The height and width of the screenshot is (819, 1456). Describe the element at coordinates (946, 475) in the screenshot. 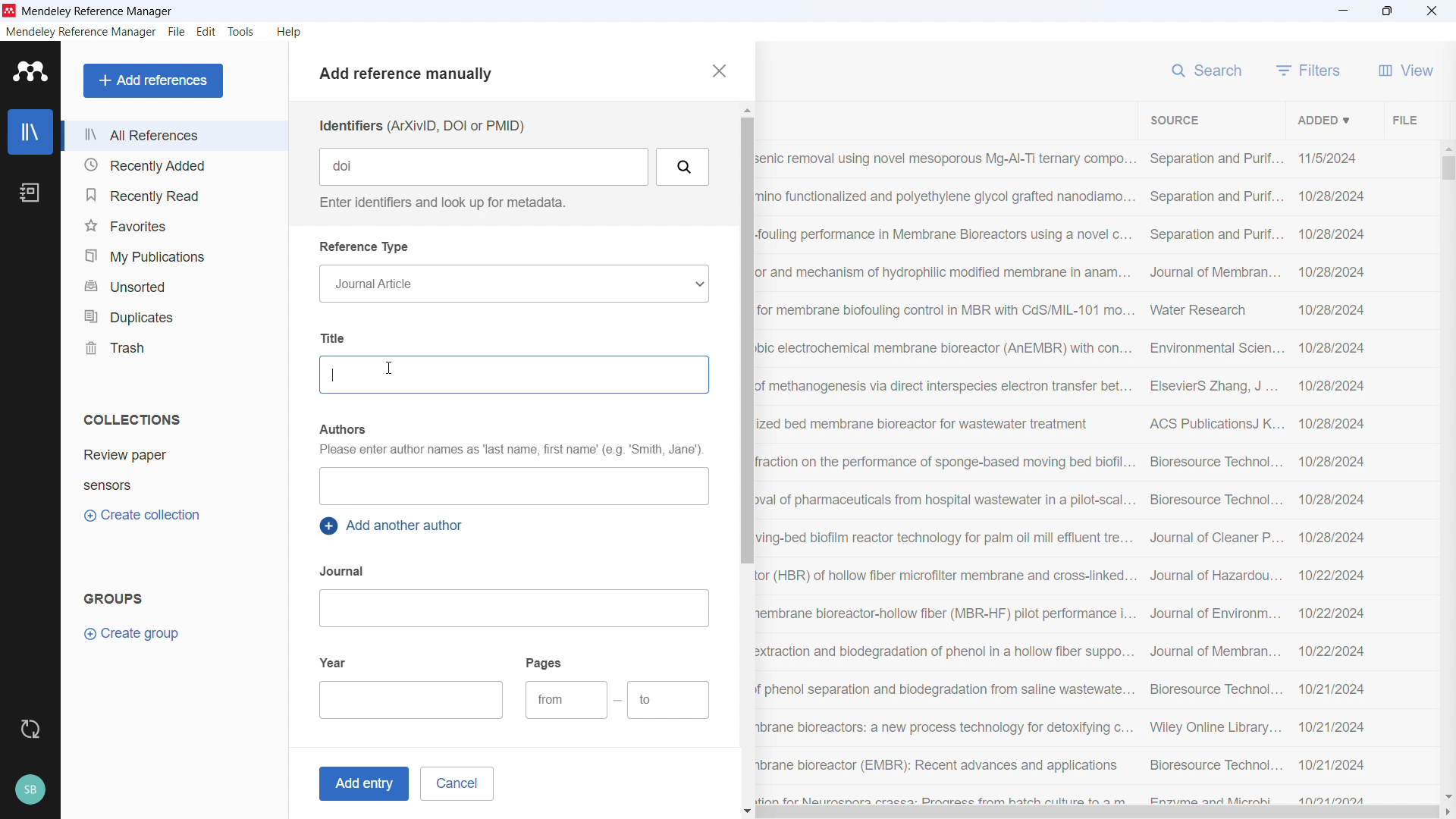

I see `Title of individual entries ` at that location.